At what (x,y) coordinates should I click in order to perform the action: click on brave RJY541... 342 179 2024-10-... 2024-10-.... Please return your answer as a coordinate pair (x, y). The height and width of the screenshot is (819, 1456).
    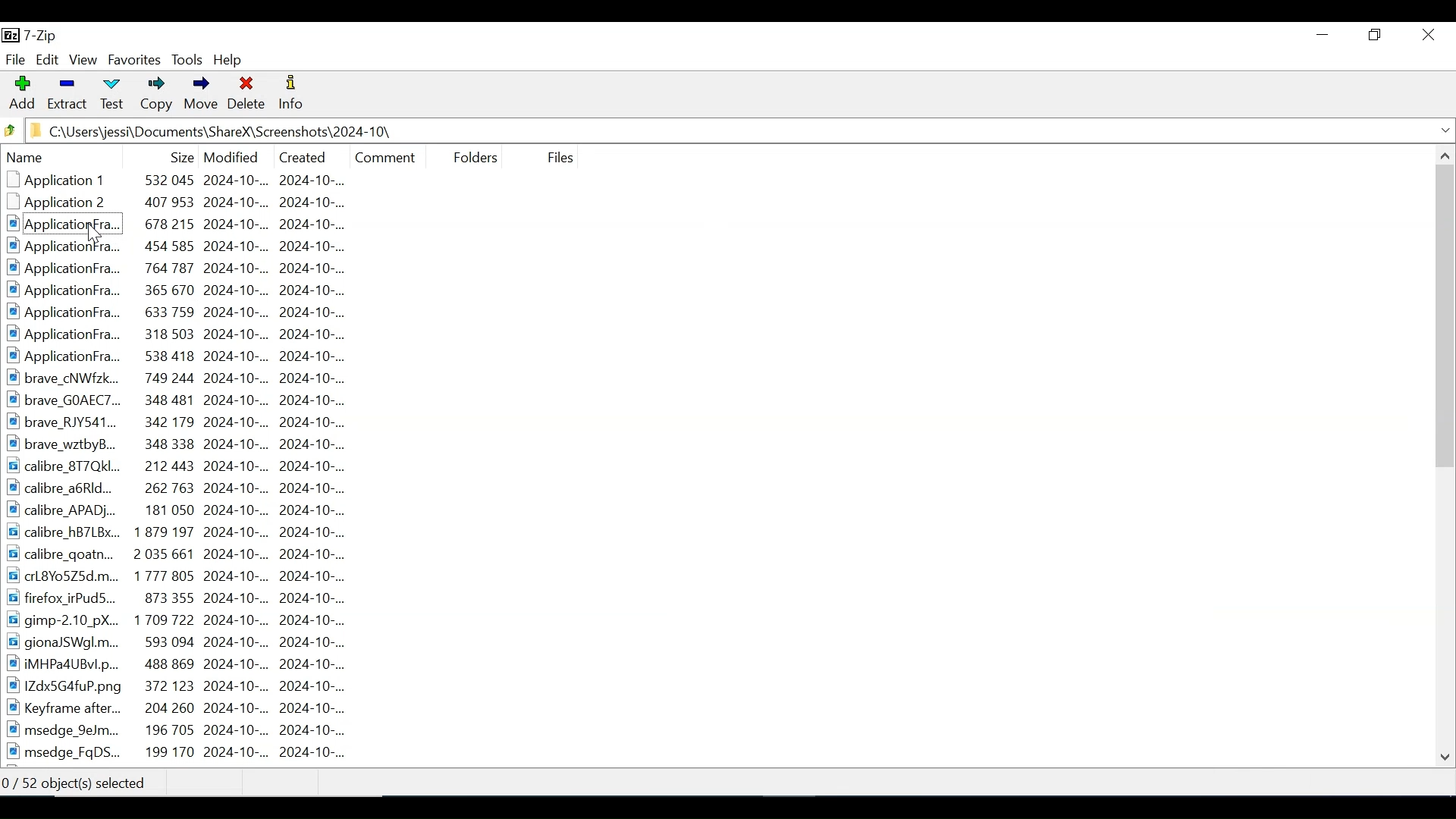
    Looking at the image, I should click on (193, 421).